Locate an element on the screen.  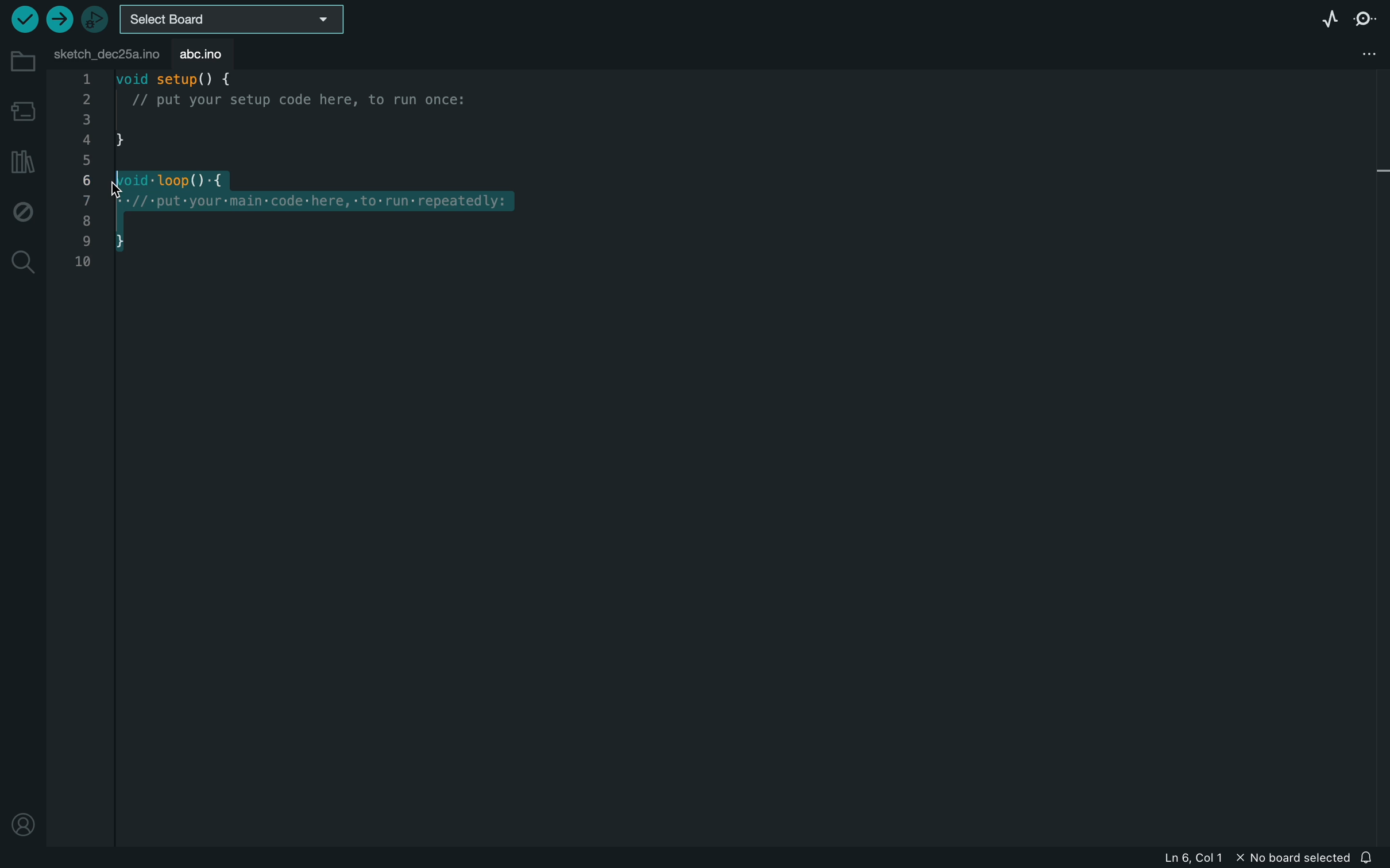
code is located at coordinates (295, 172).